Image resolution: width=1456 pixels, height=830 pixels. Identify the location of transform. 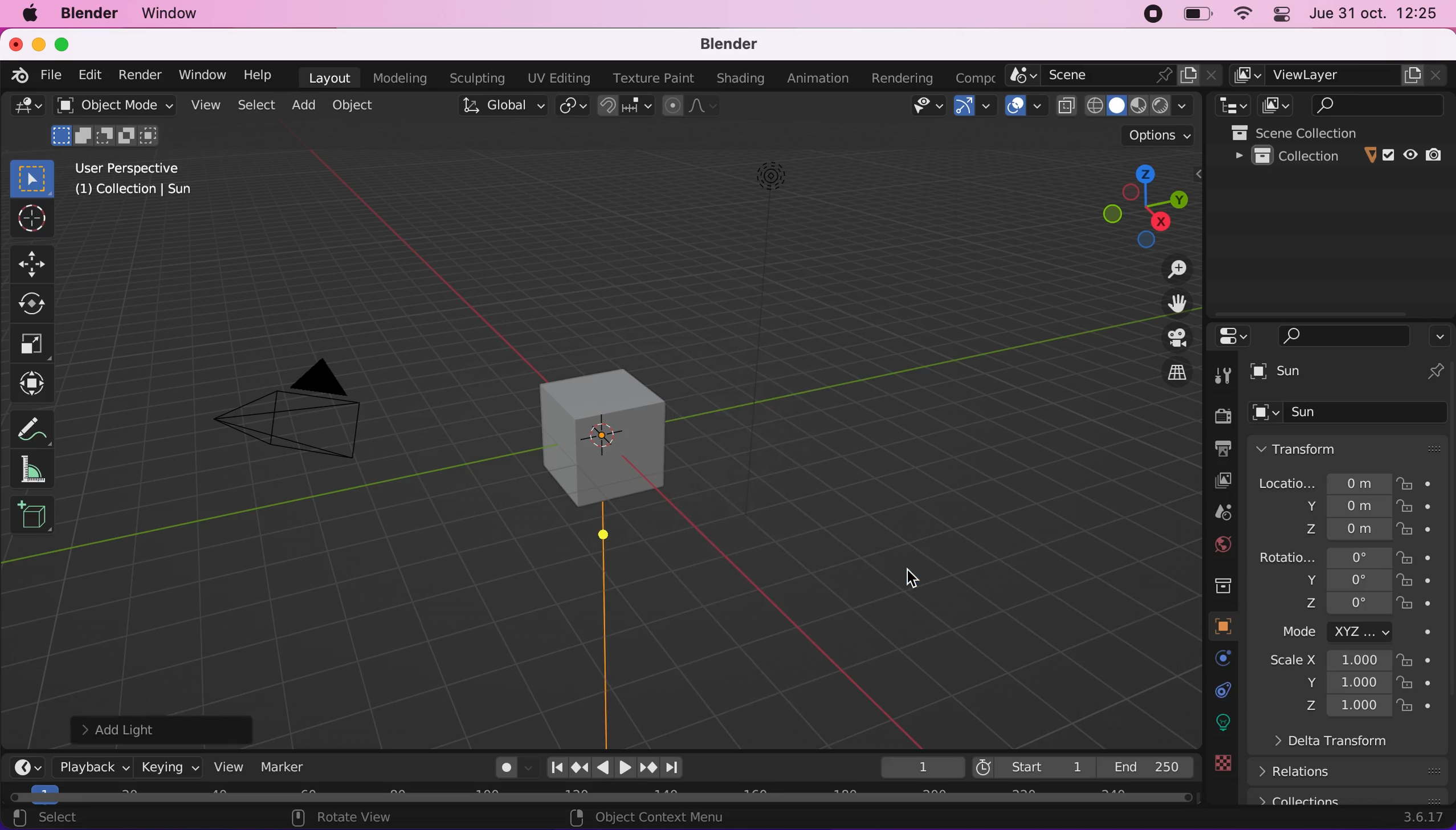
(35, 384).